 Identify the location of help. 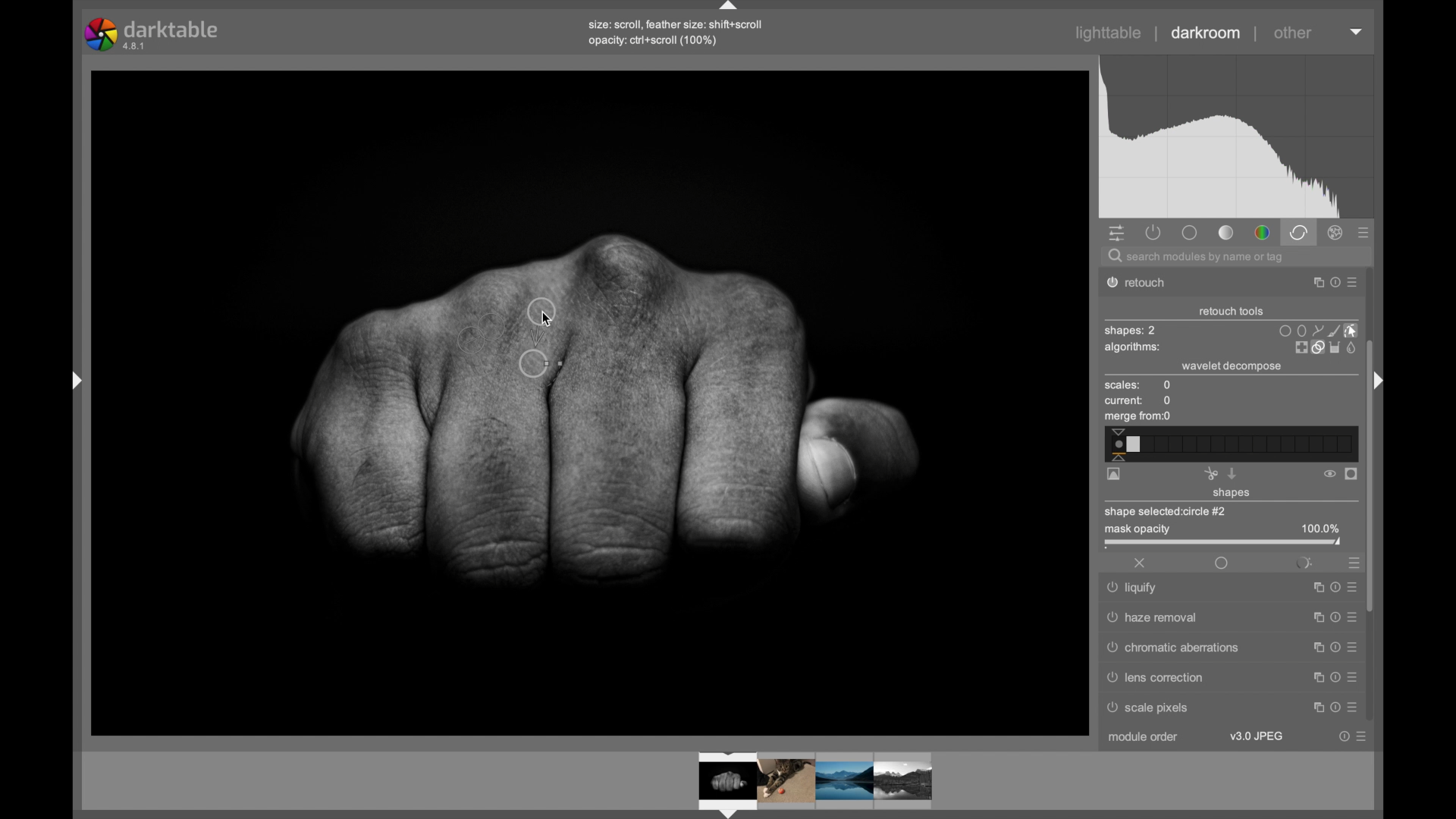
(1333, 647).